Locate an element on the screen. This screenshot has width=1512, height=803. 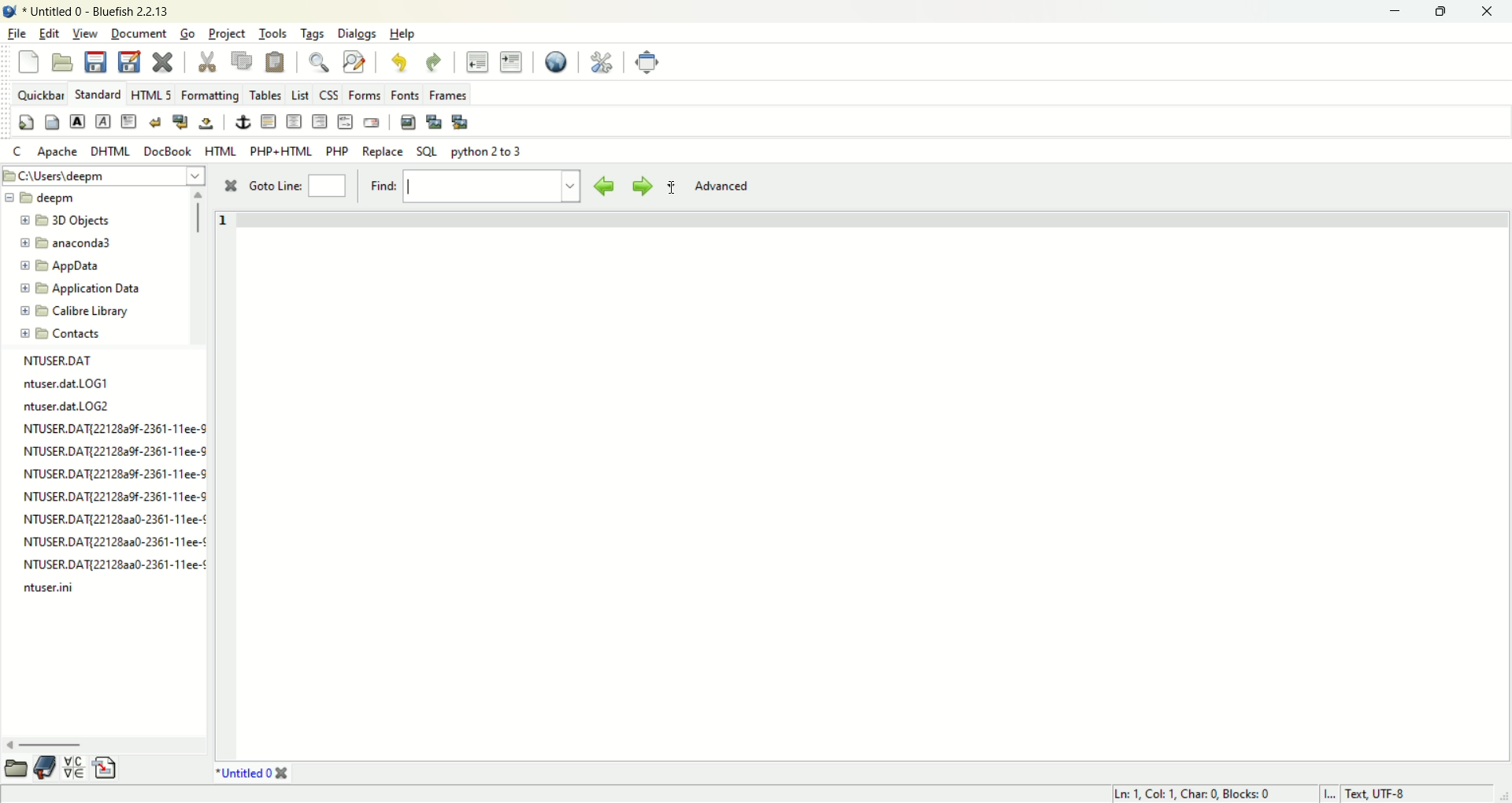
Apache is located at coordinates (57, 150).